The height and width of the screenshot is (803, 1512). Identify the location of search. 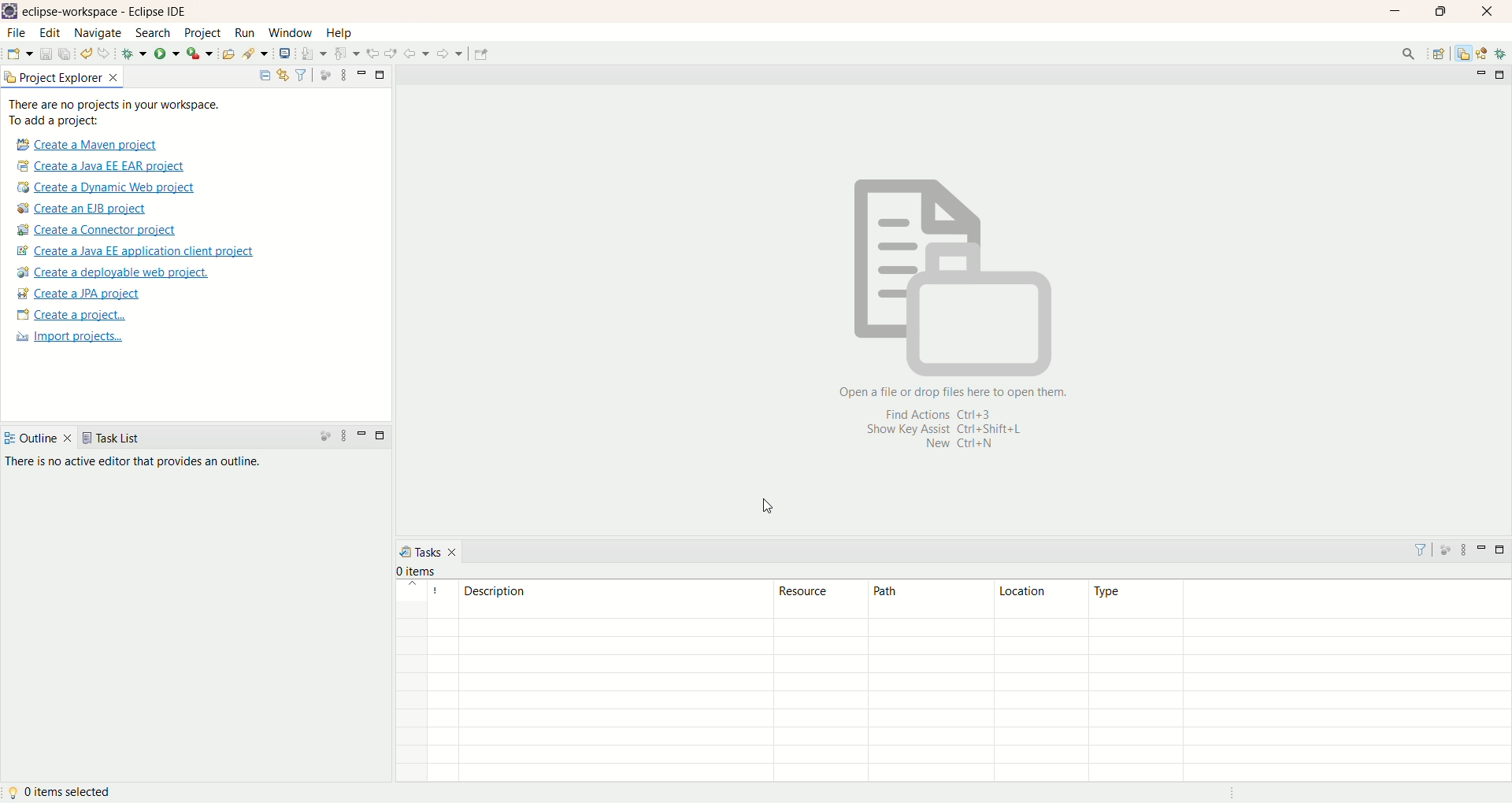
(1406, 53).